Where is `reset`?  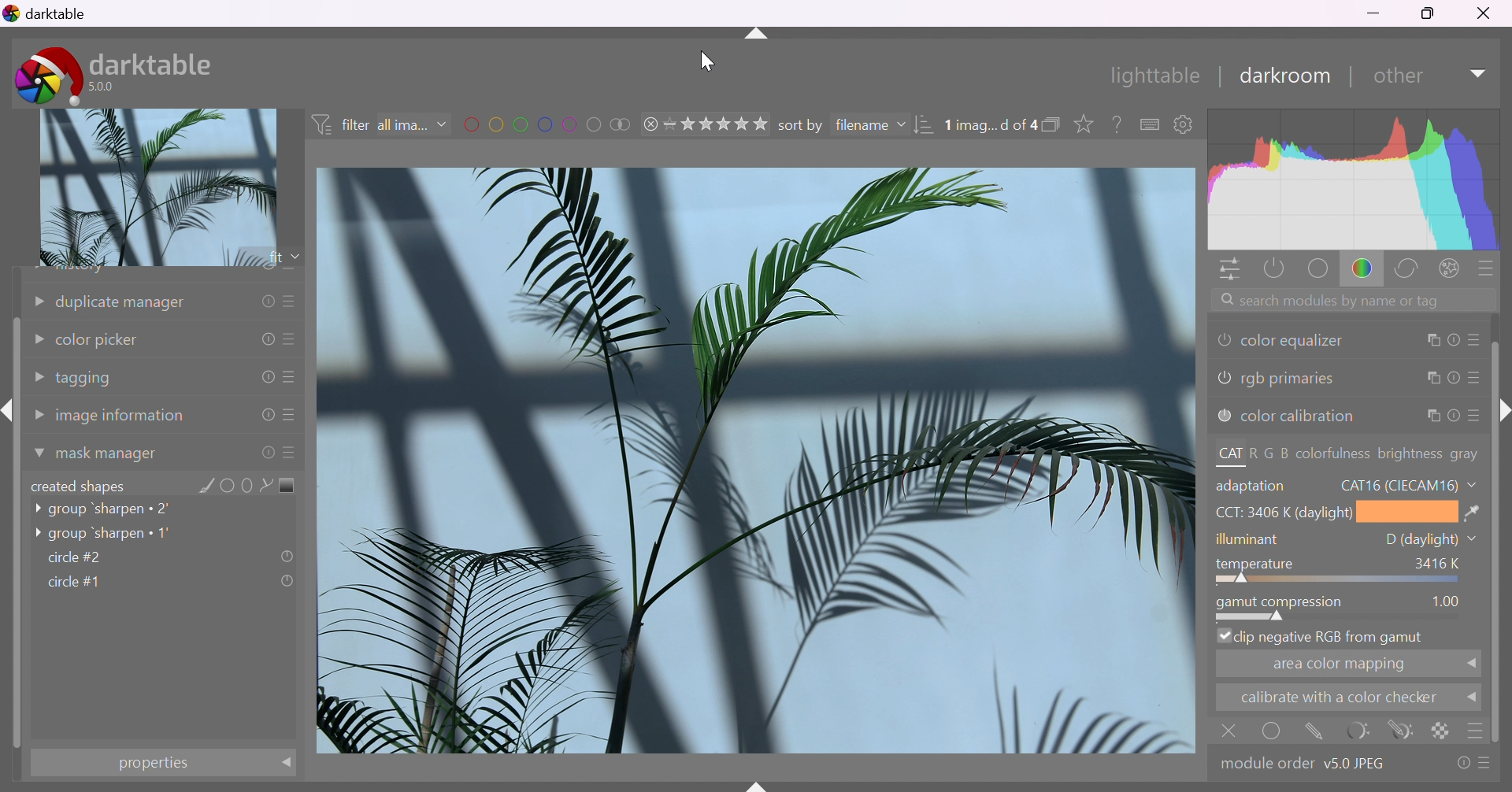
reset is located at coordinates (1354, 733).